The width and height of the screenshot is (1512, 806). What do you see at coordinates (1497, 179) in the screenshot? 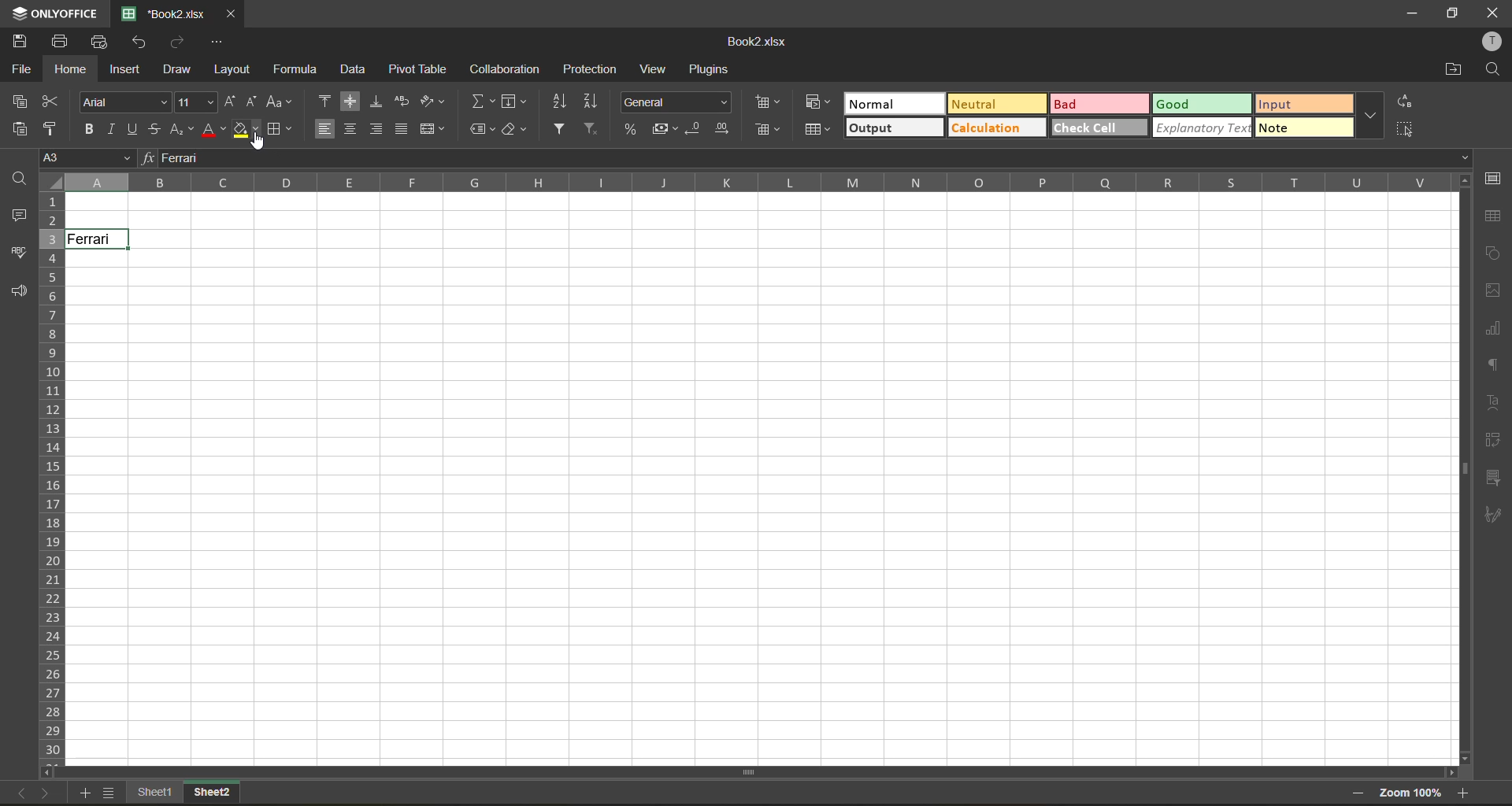
I see `cell settings` at bounding box center [1497, 179].